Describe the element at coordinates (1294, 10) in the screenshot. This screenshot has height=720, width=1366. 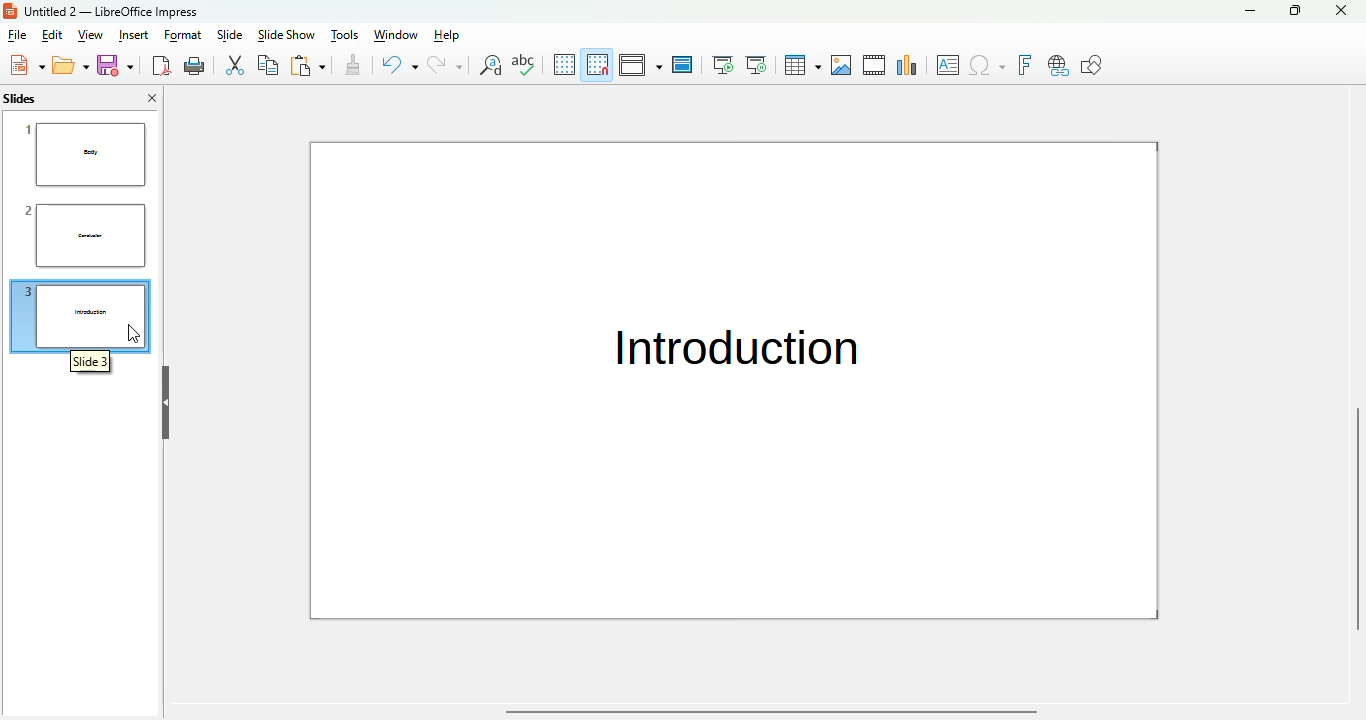
I see `maximize` at that location.